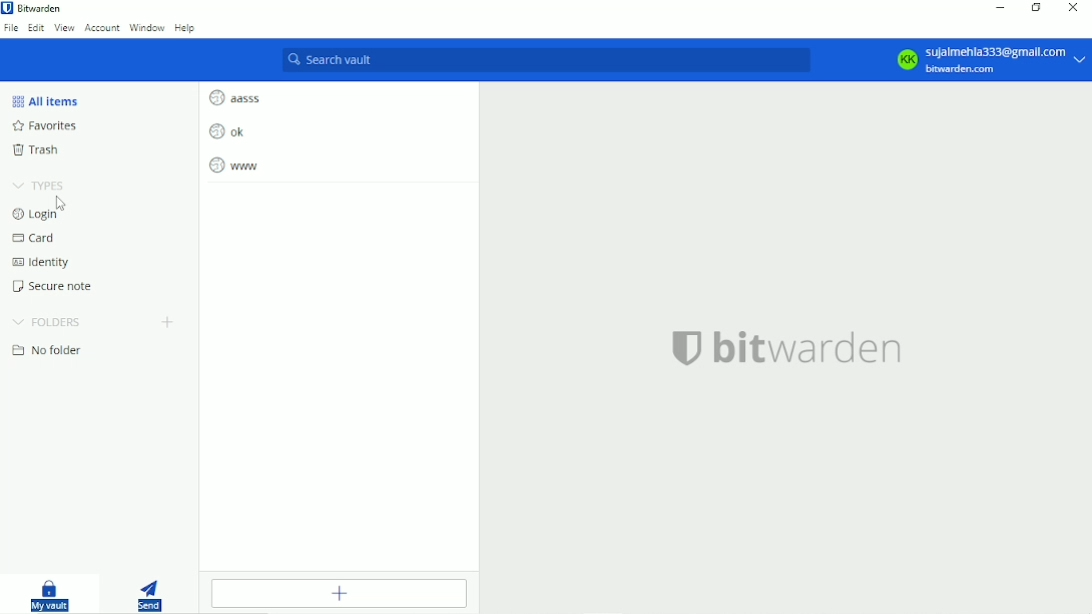 This screenshot has height=614, width=1092. What do you see at coordinates (542, 62) in the screenshot?
I see `Search vault` at bounding box center [542, 62].